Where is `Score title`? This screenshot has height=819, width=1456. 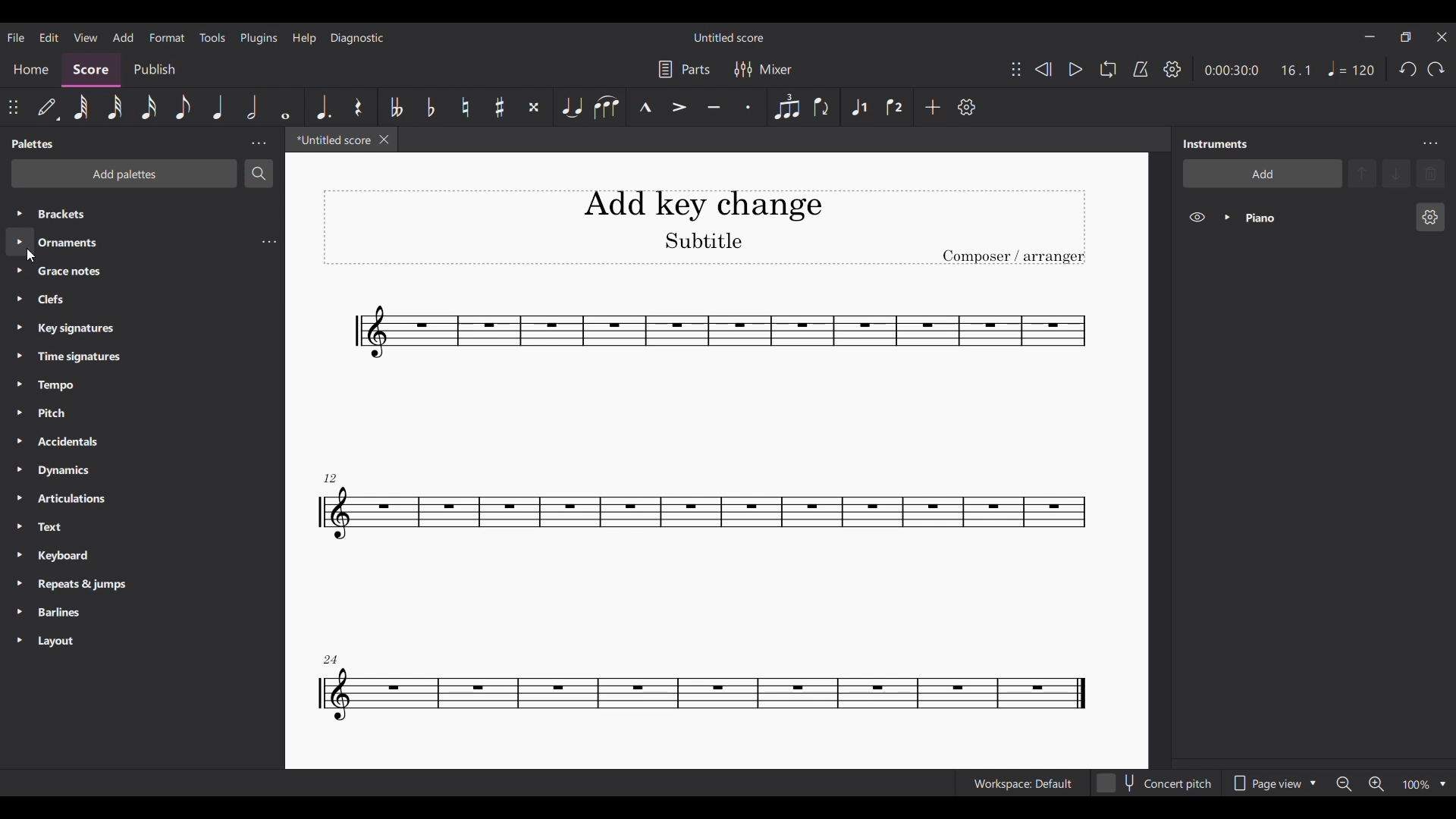
Score title is located at coordinates (728, 37).